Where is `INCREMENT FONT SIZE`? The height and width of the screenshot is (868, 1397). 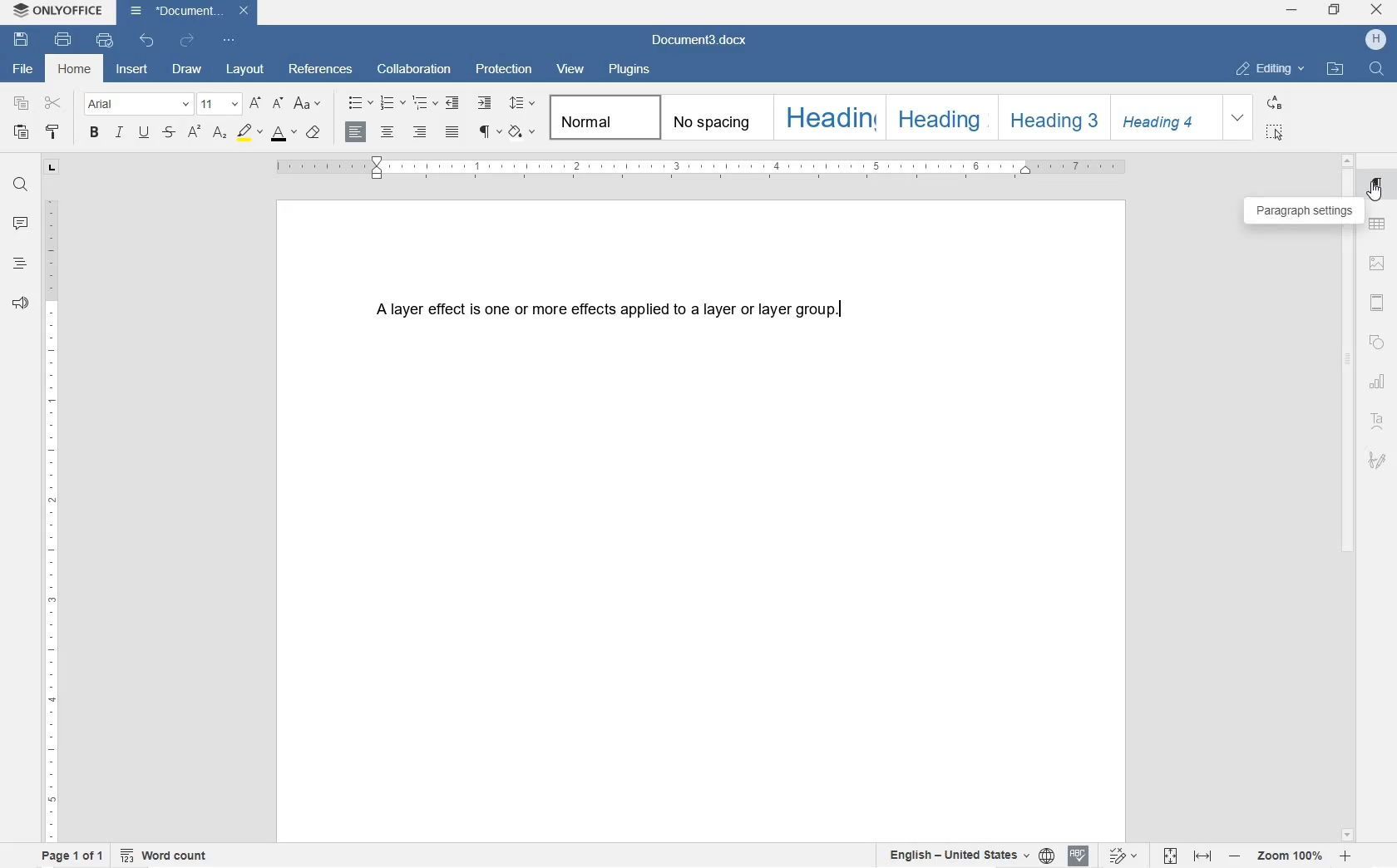 INCREMENT FONT SIZE is located at coordinates (255, 104).